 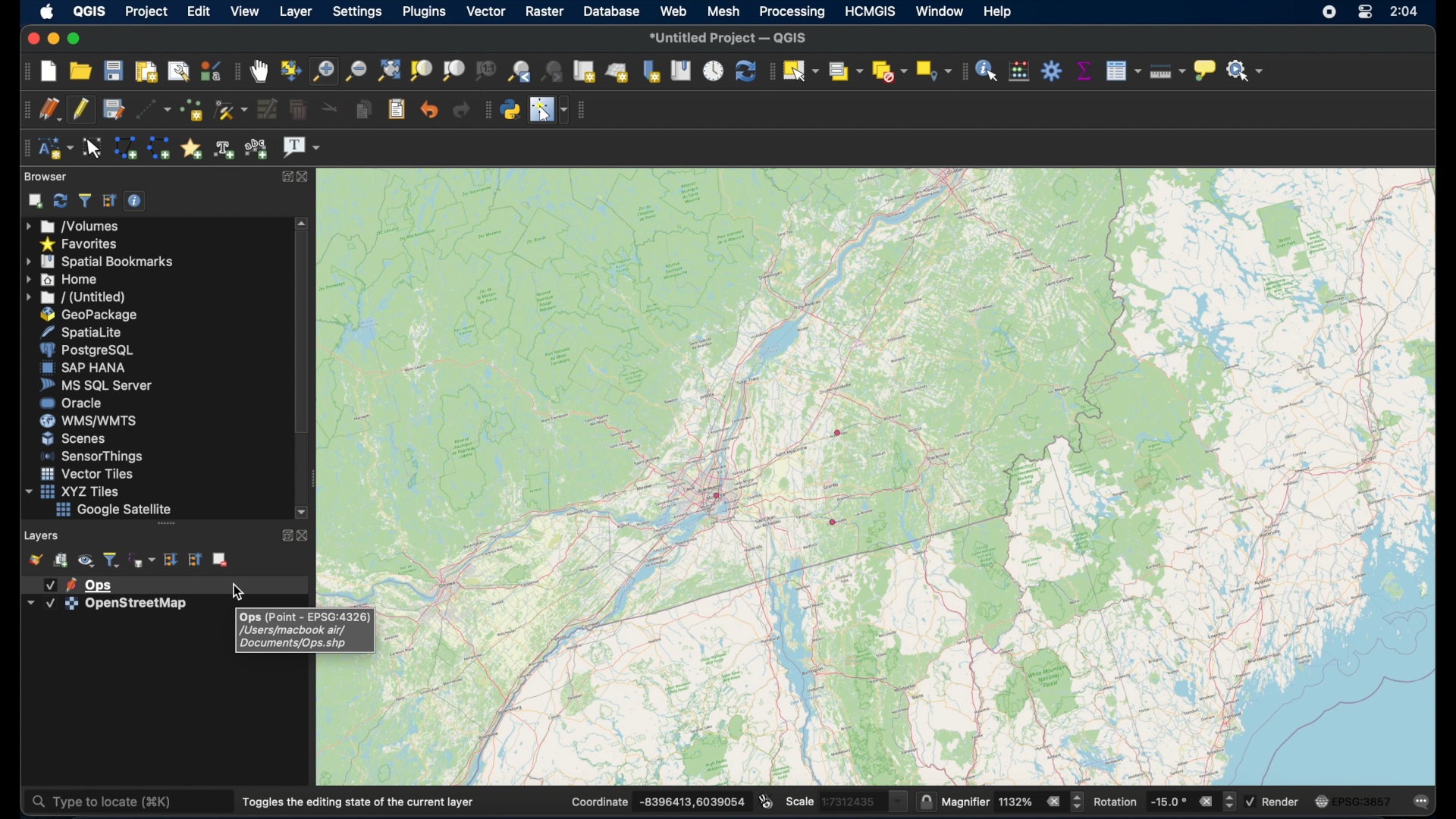 I want to click on screen recorder icon, so click(x=1332, y=13).